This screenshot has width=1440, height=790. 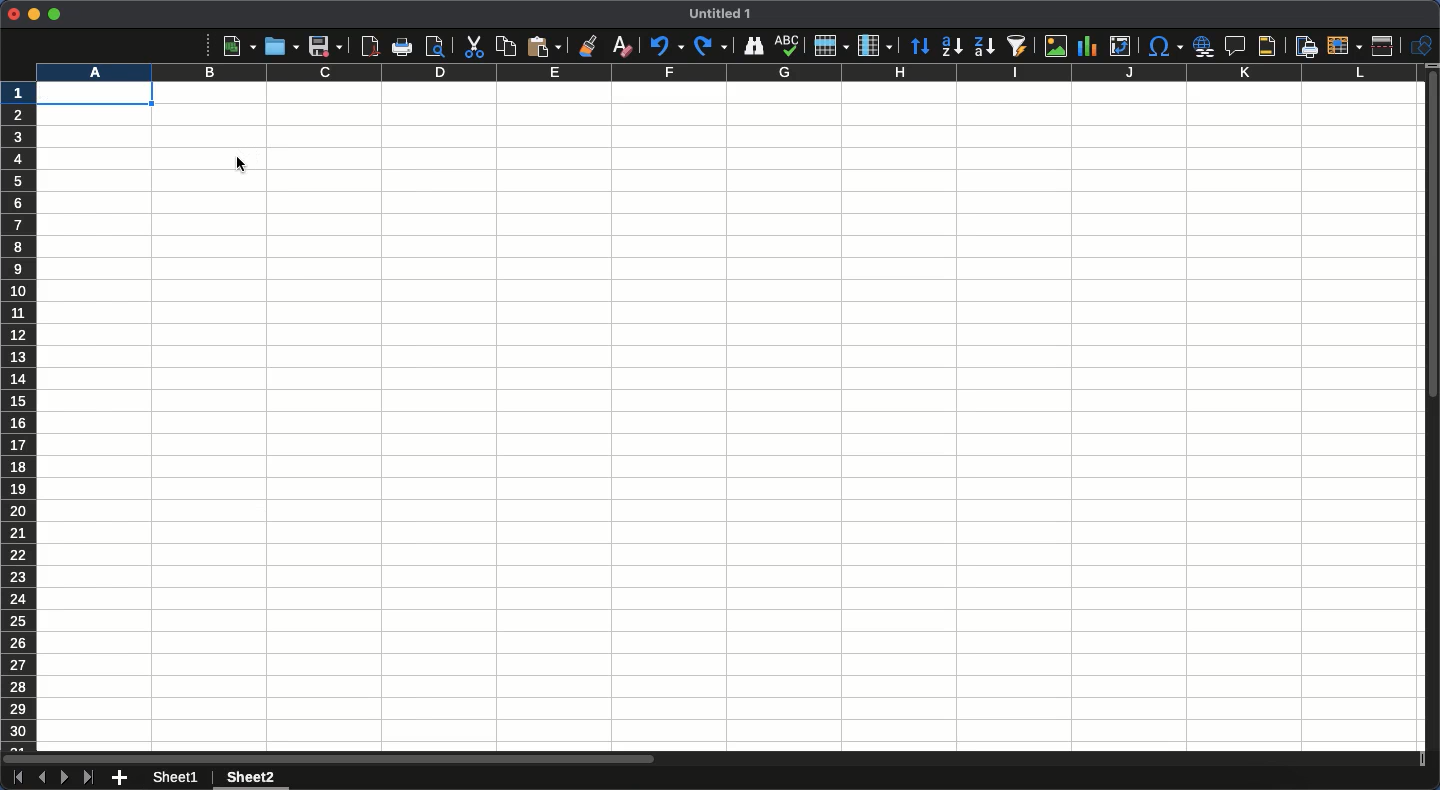 What do you see at coordinates (724, 73) in the screenshot?
I see `Columns` at bounding box center [724, 73].